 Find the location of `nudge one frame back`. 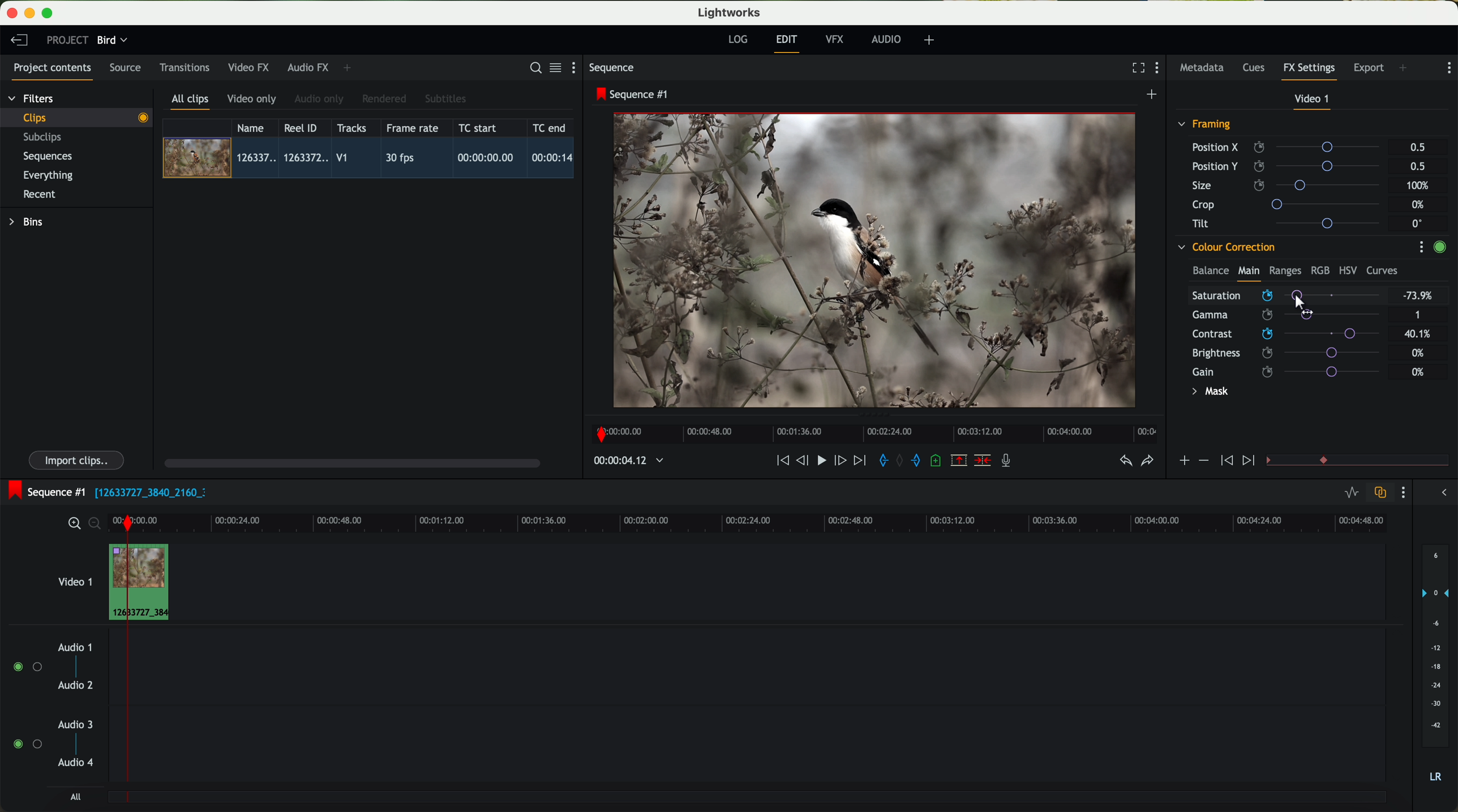

nudge one frame back is located at coordinates (804, 462).